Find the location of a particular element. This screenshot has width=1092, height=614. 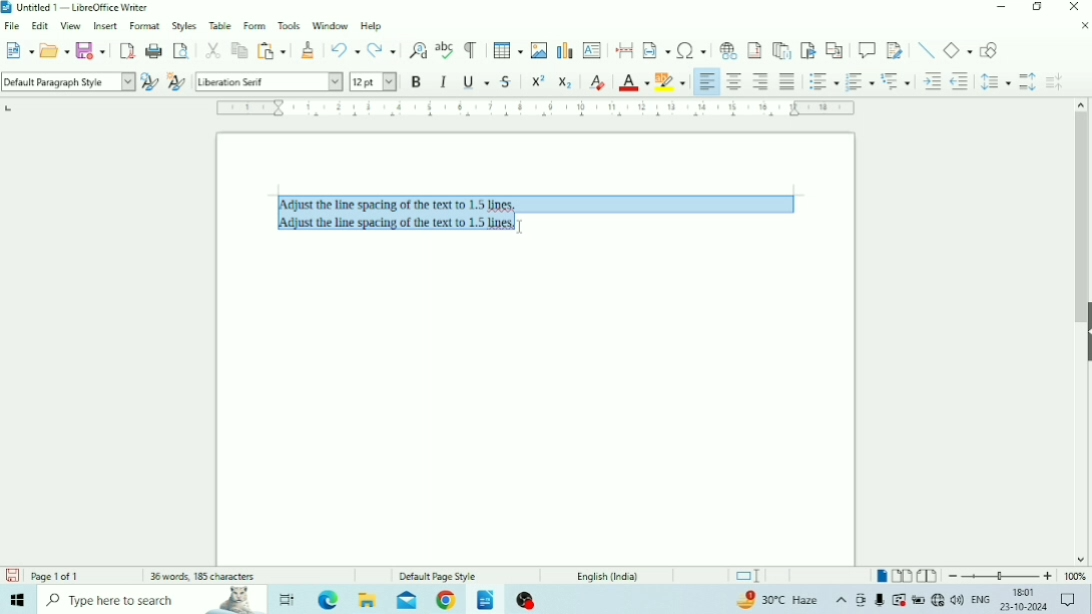

Toggle Unordered List is located at coordinates (822, 79).